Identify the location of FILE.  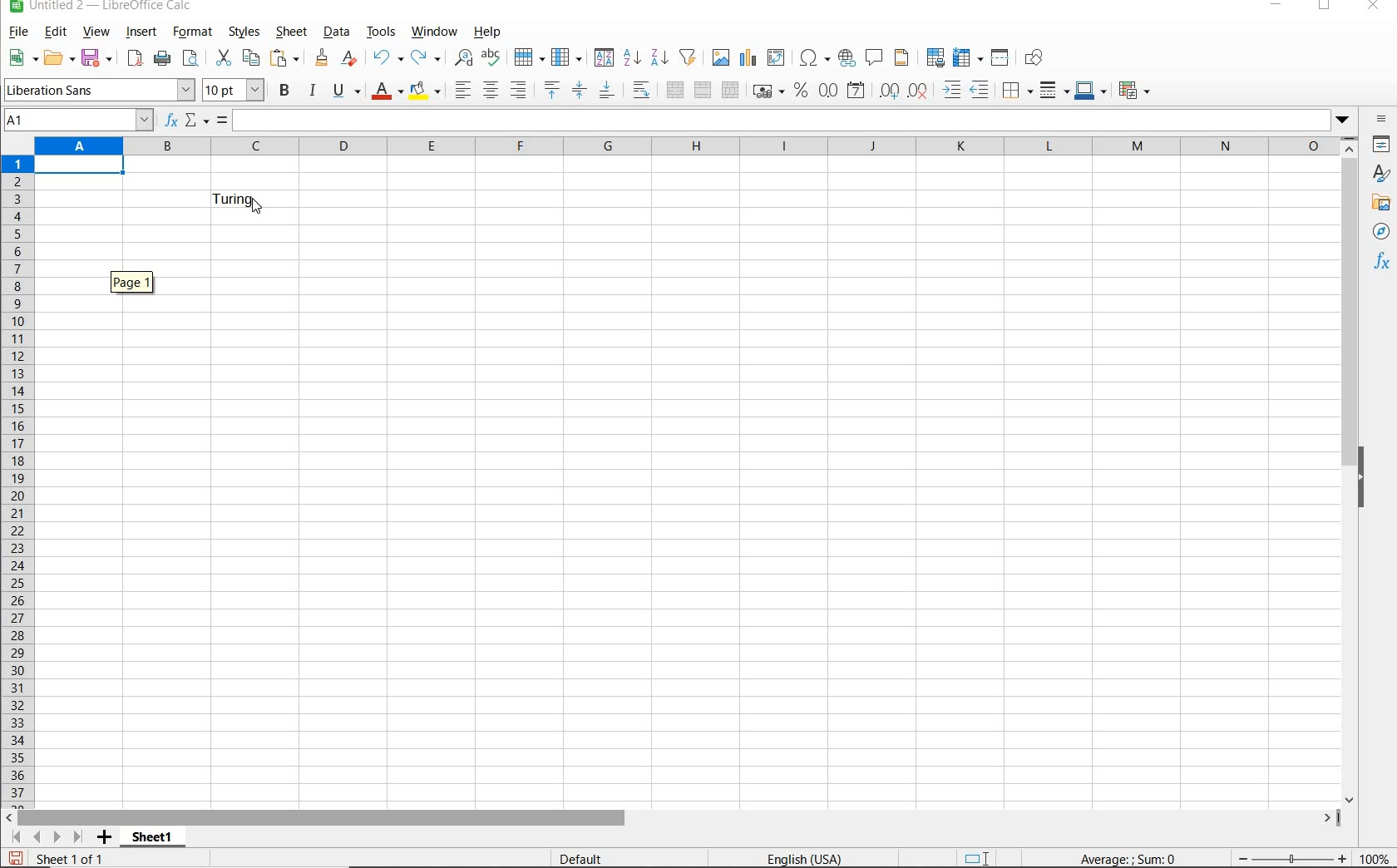
(19, 33).